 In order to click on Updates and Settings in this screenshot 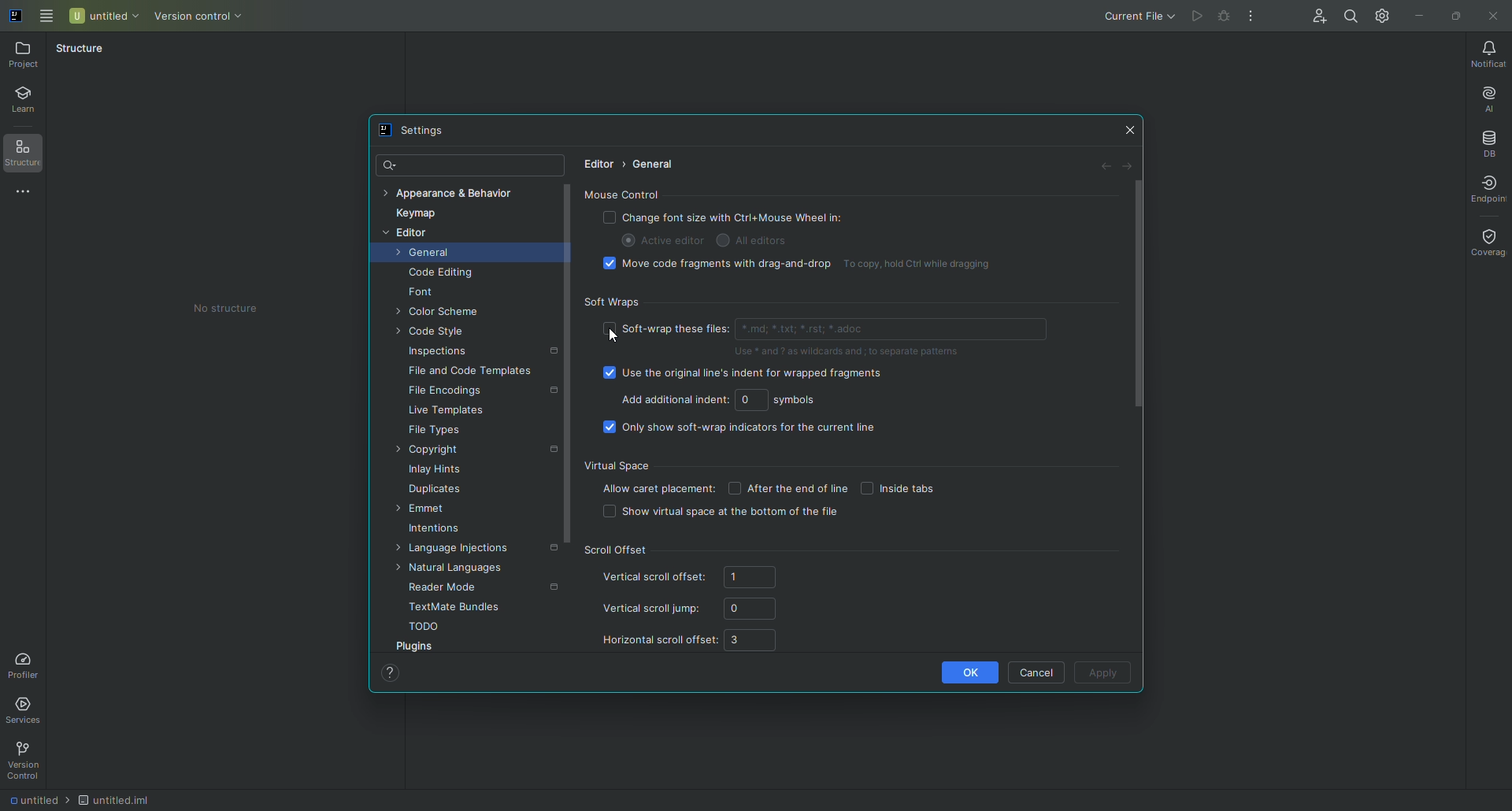, I will do `click(1385, 20)`.